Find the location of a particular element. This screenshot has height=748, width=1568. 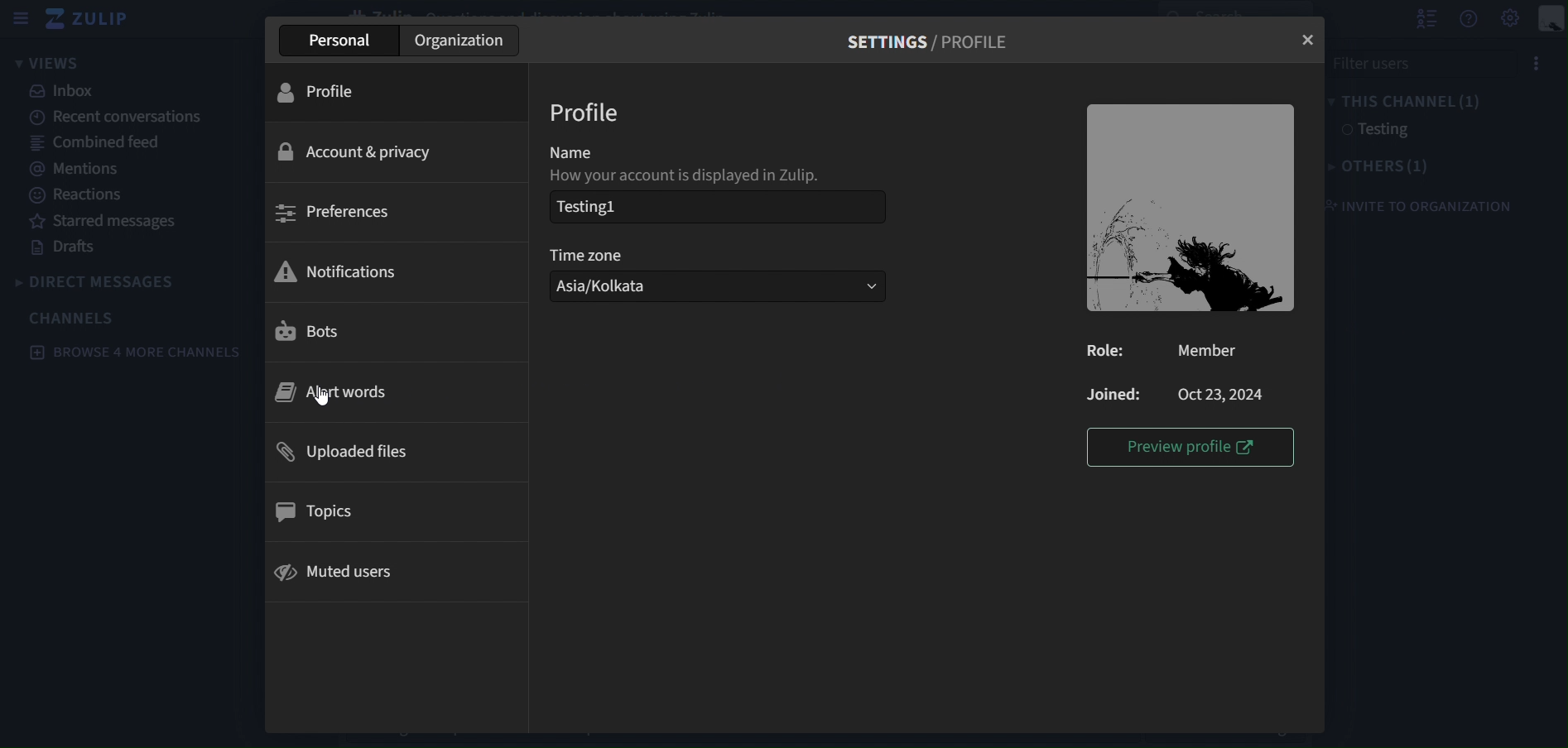

combined feed is located at coordinates (102, 144).